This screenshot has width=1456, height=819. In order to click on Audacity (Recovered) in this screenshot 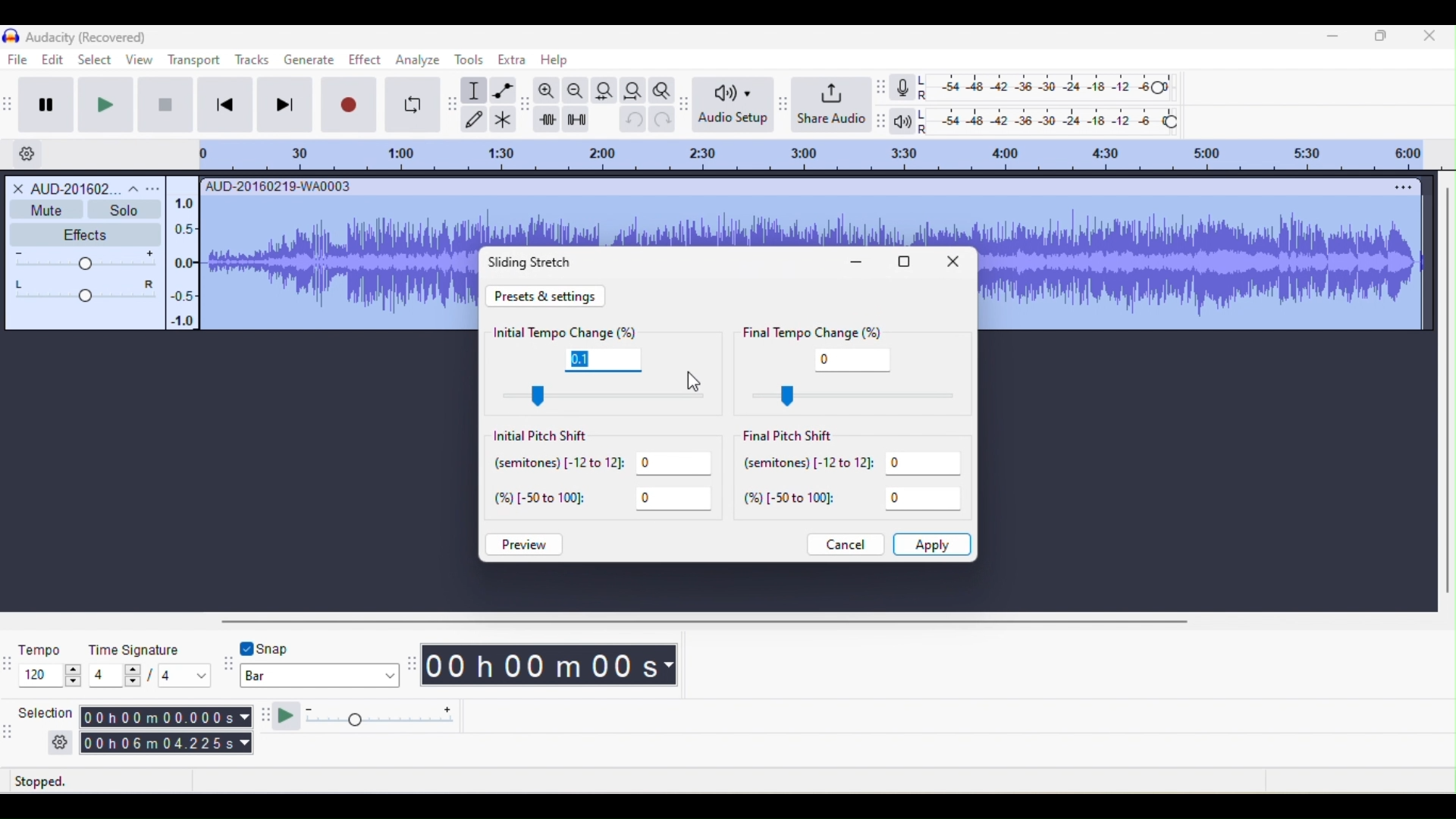, I will do `click(86, 37)`.